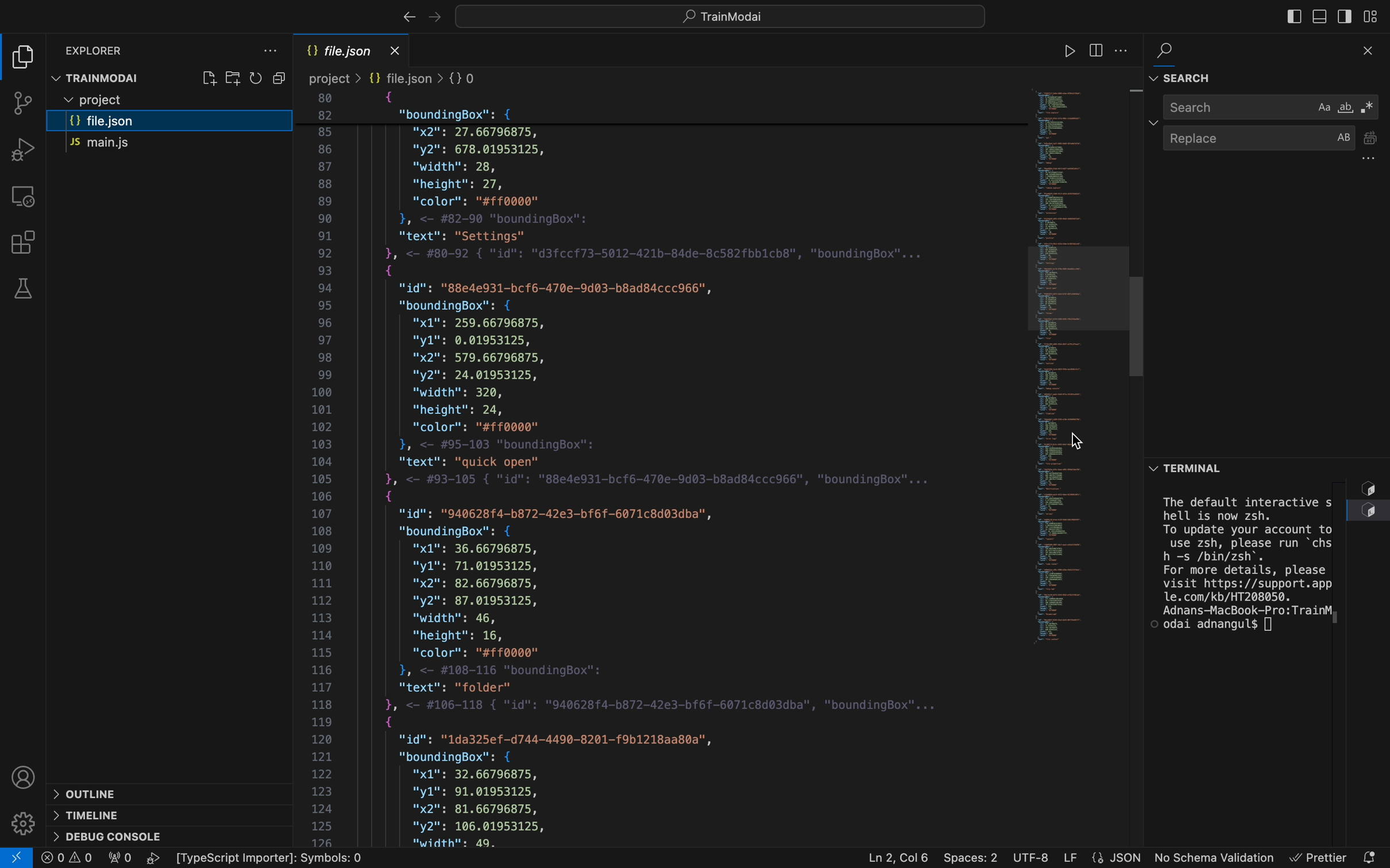 Image resolution: width=1390 pixels, height=868 pixels. Describe the element at coordinates (724, 15) in the screenshot. I see `searcyh bar` at that location.